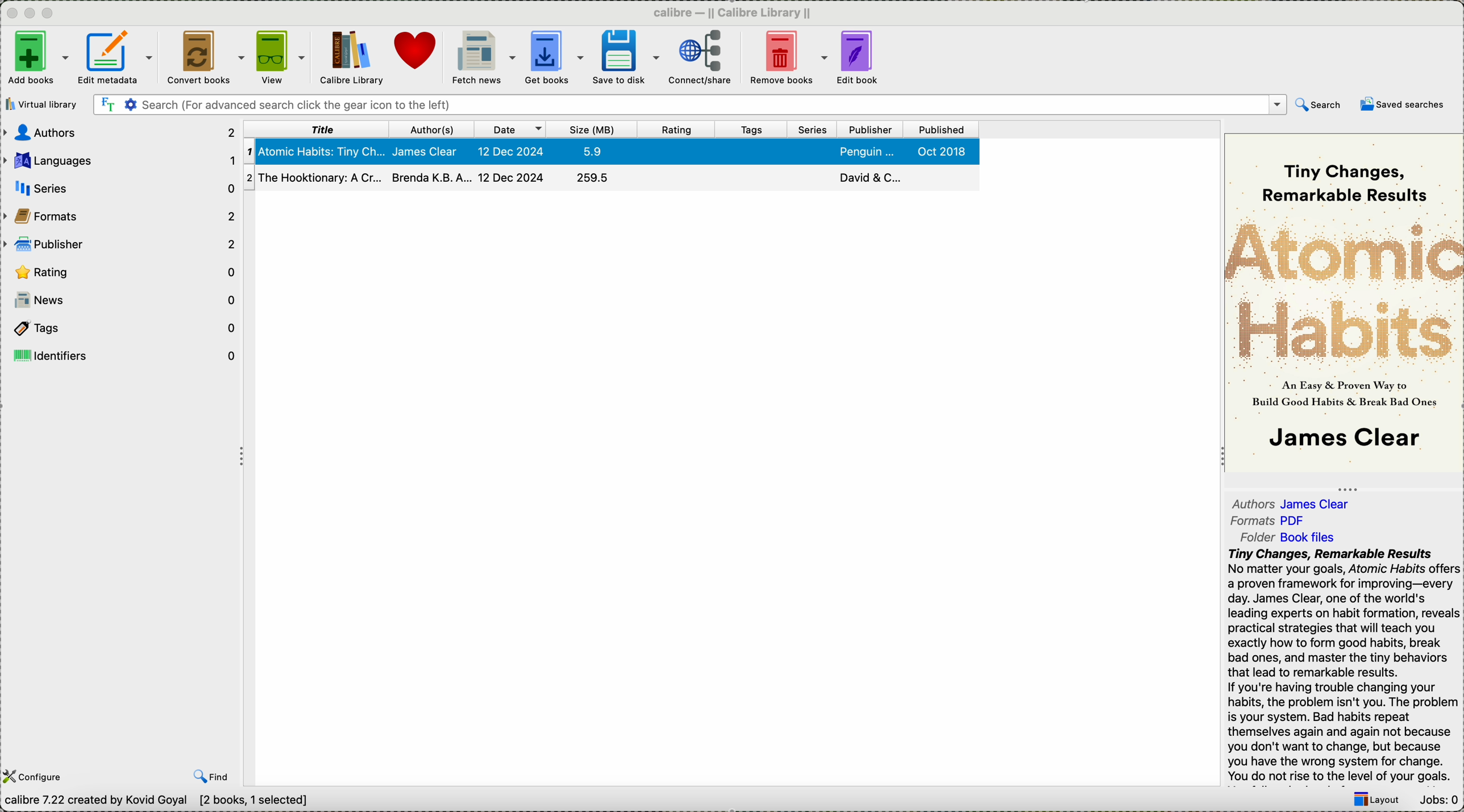 The width and height of the screenshot is (1464, 812). I want to click on minimize, so click(30, 11).